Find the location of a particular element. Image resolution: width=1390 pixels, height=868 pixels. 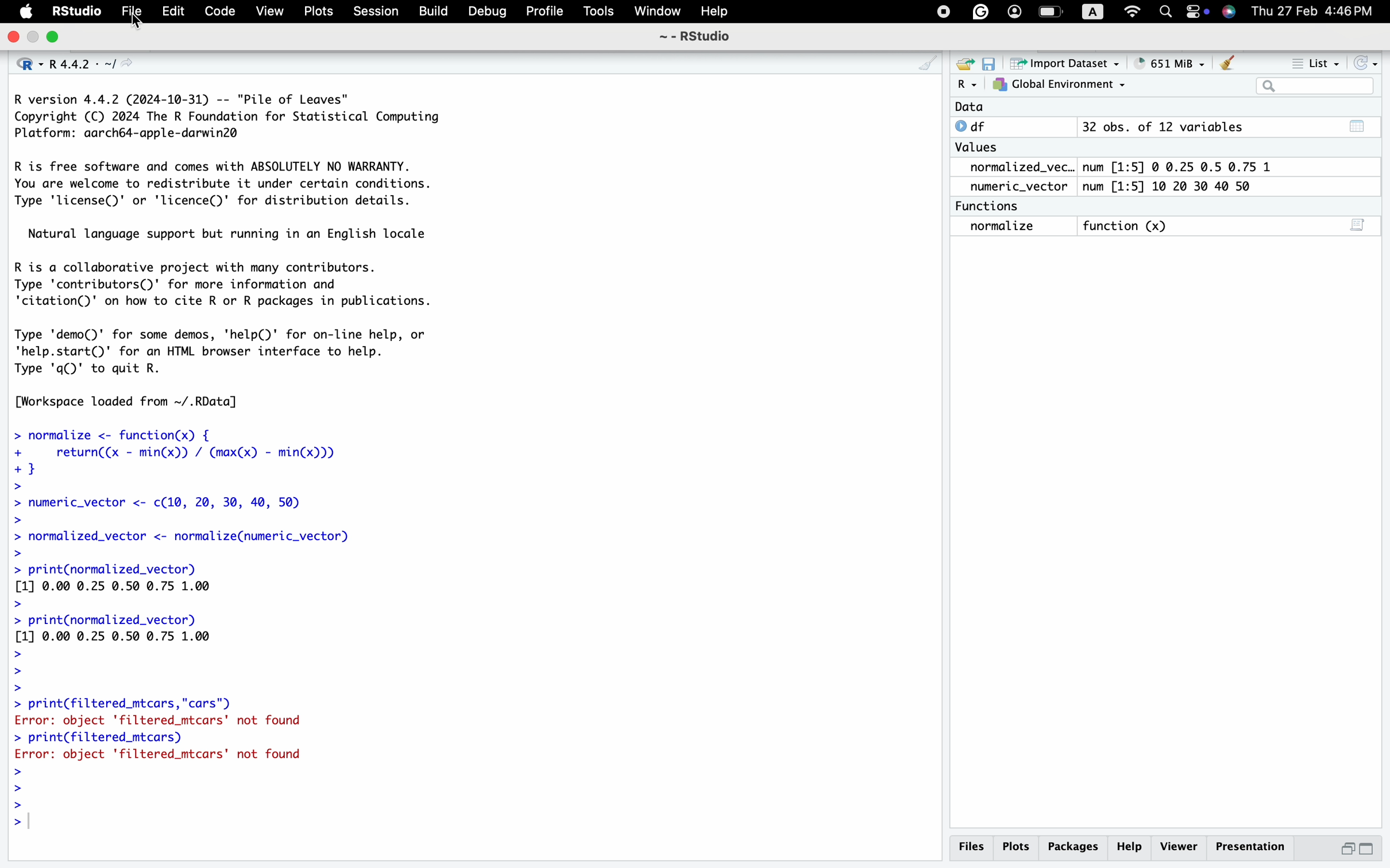

~ - RStudio is located at coordinates (696, 39).